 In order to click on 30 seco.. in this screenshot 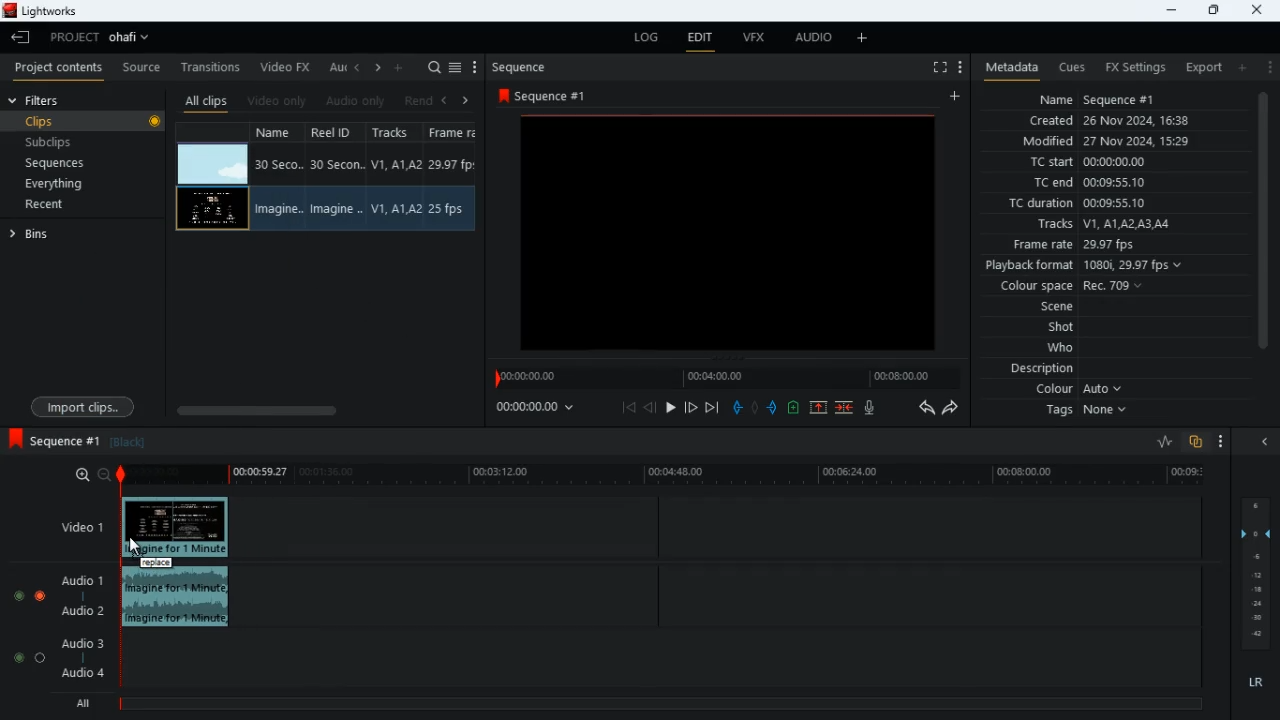, I will do `click(279, 163)`.